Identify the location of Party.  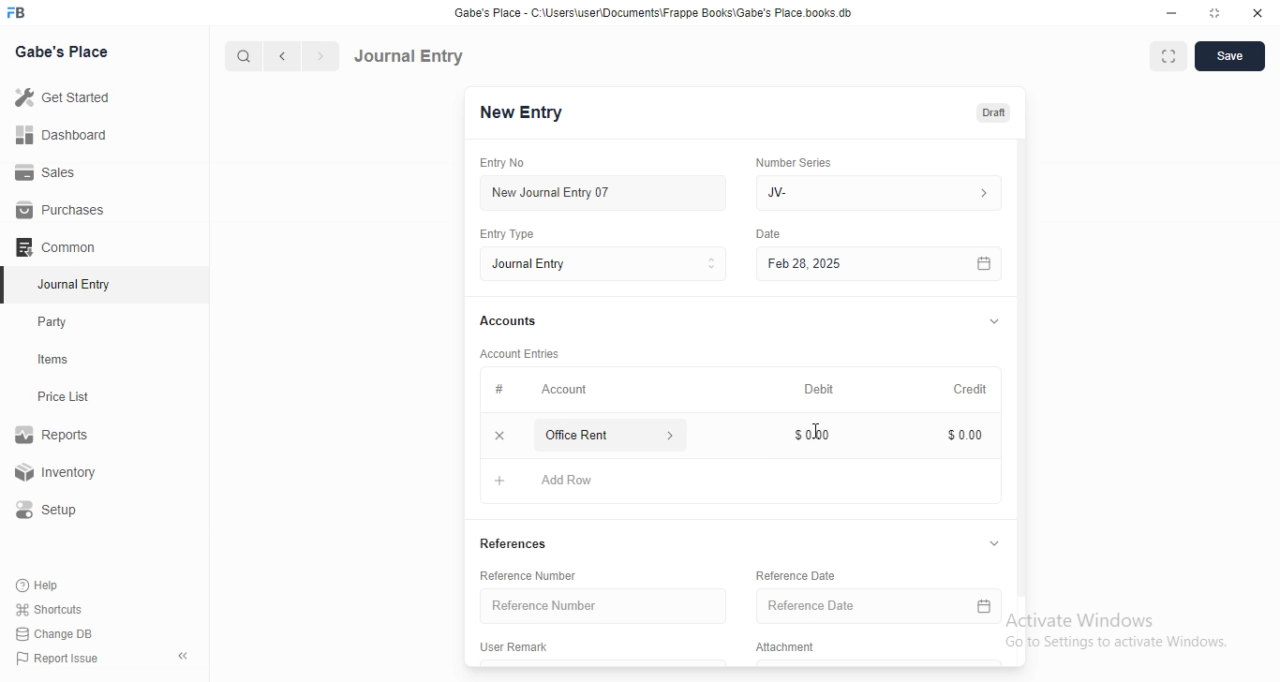
(57, 322).